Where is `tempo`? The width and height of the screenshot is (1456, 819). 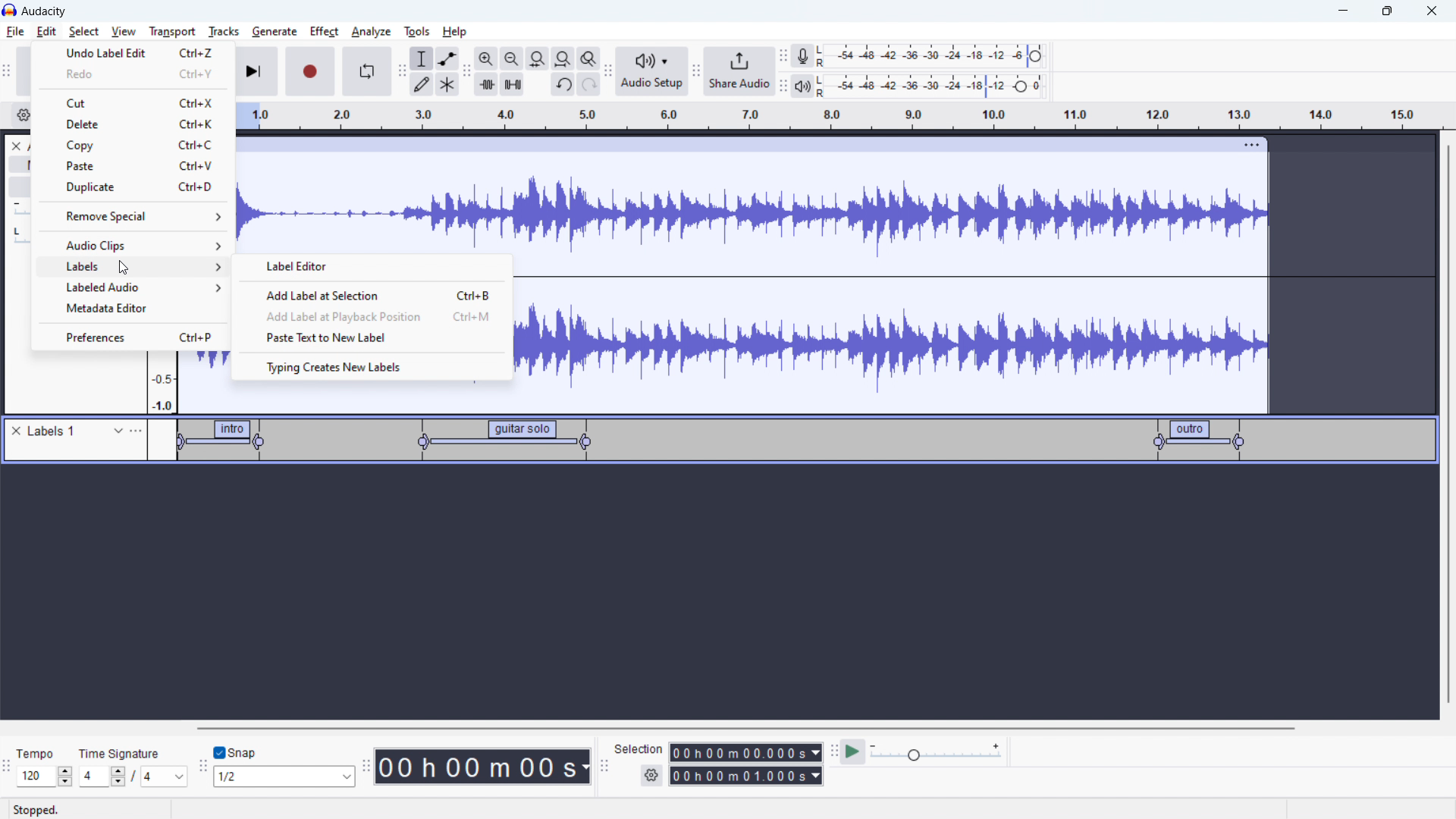
tempo is located at coordinates (45, 753).